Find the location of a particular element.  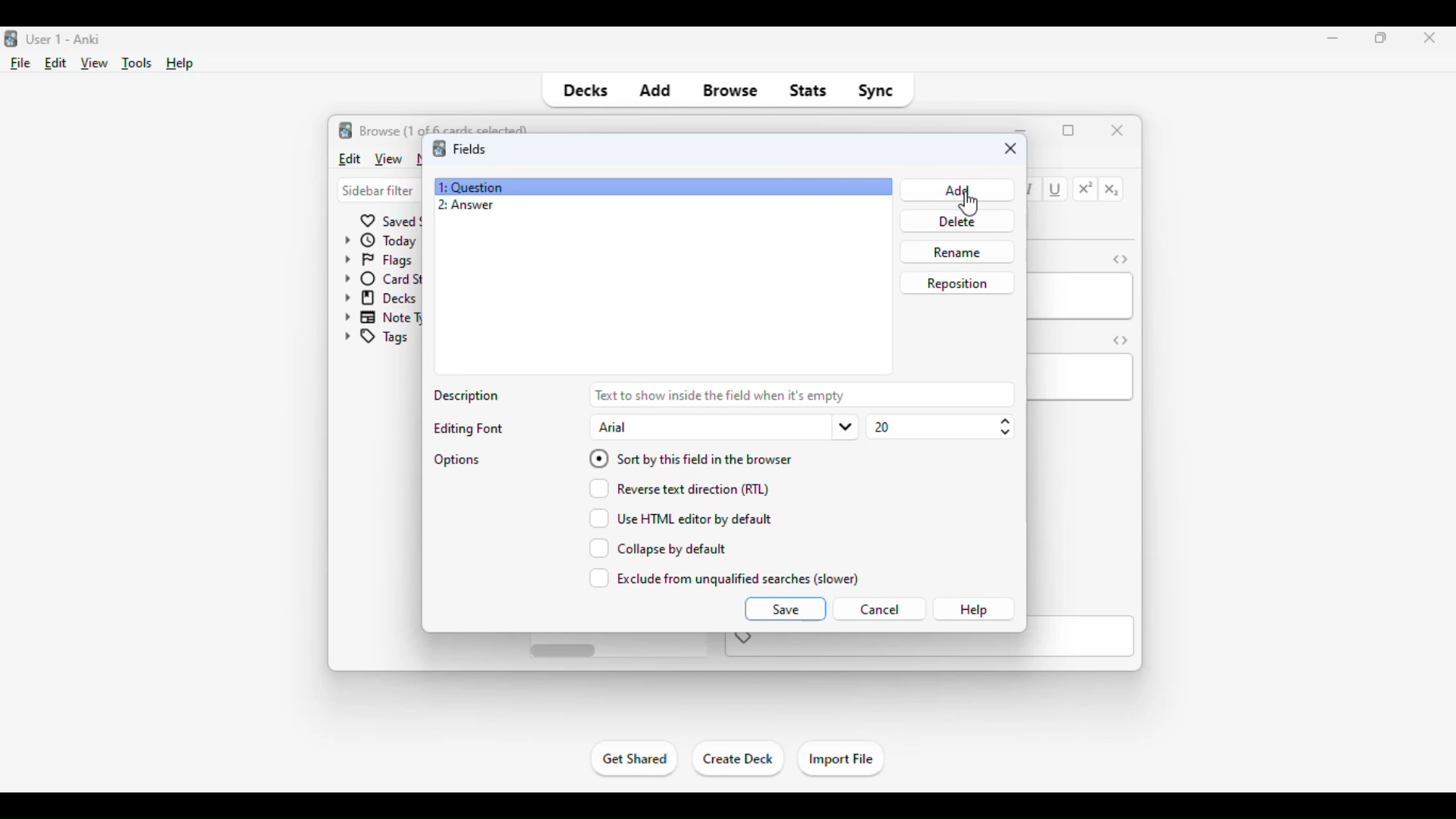

add is located at coordinates (955, 190).